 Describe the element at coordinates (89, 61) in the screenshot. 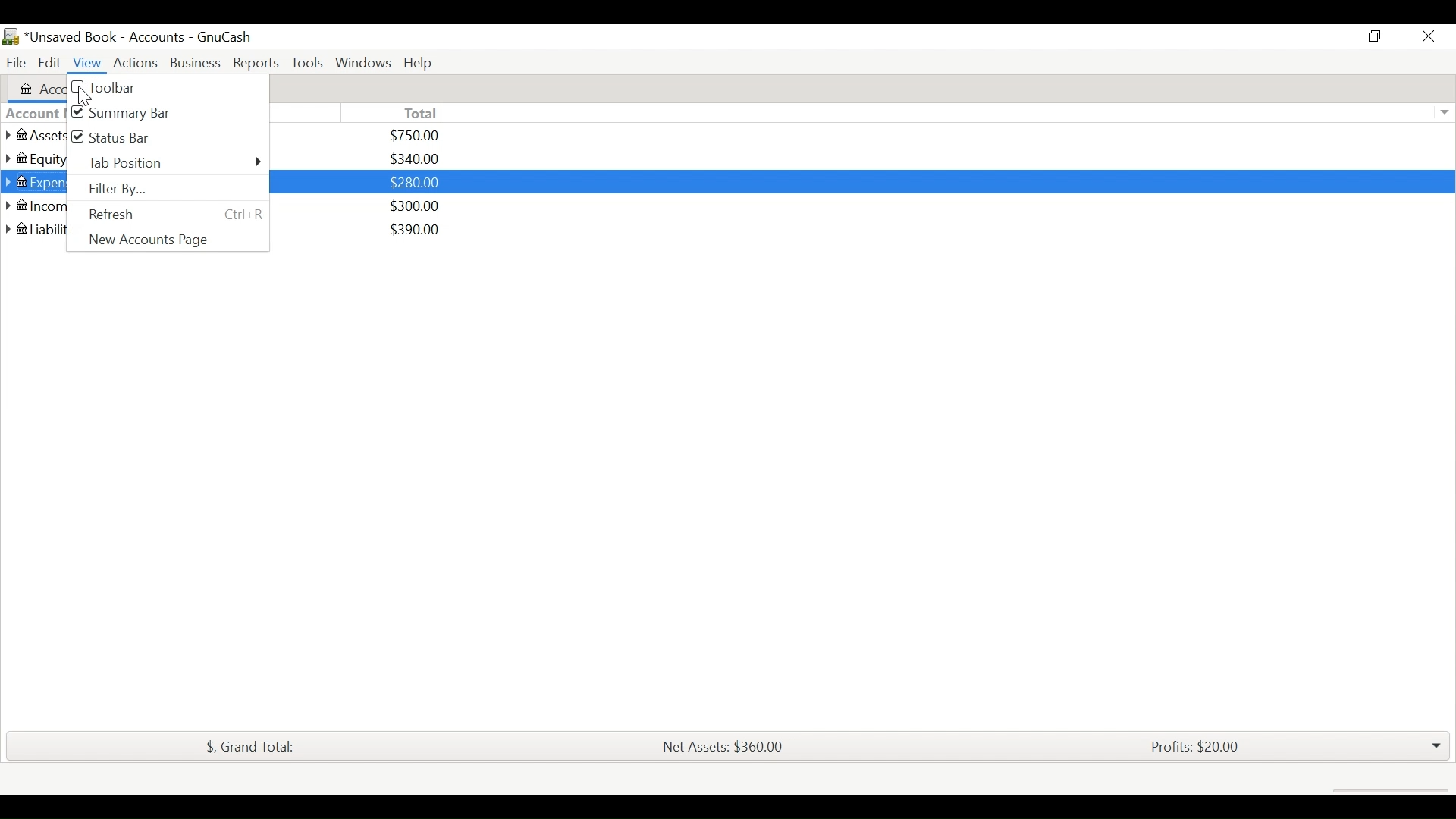

I see `View` at that location.